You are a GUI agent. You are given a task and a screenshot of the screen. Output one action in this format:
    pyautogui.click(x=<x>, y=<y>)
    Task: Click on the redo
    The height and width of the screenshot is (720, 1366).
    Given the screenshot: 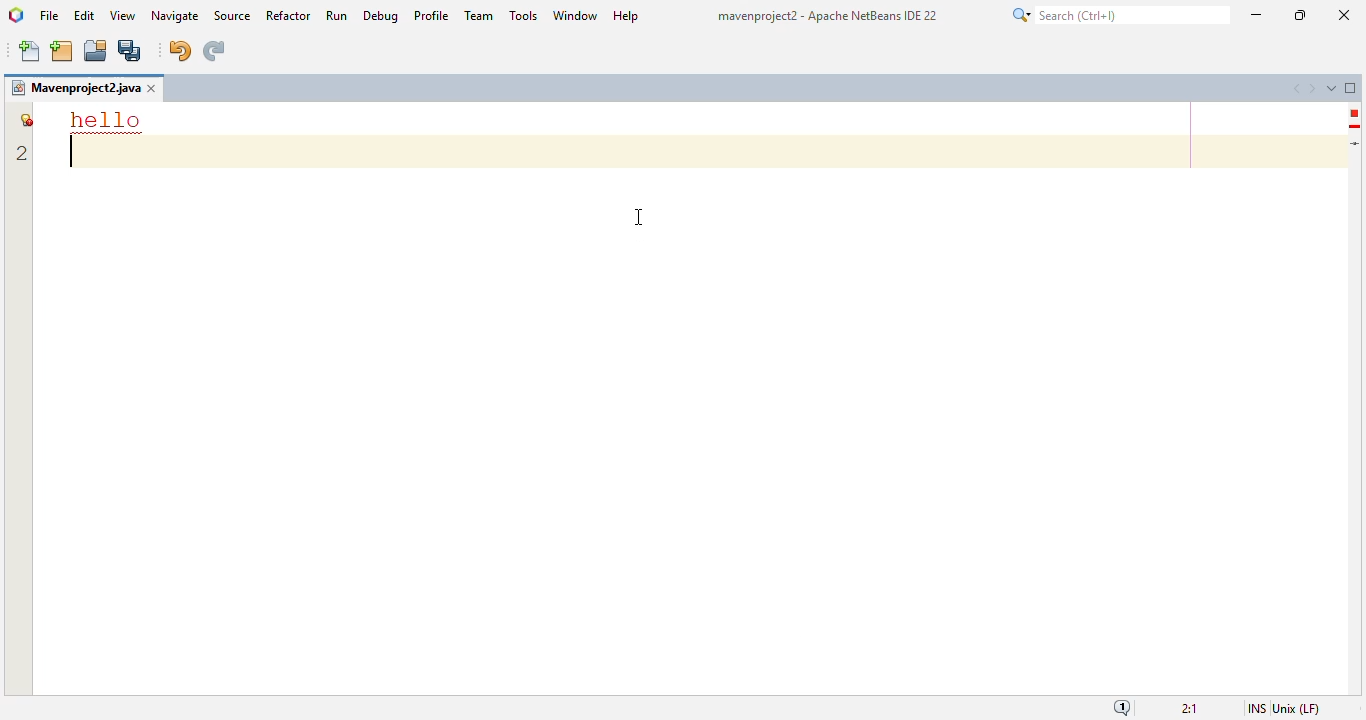 What is the action you would take?
    pyautogui.click(x=213, y=51)
    